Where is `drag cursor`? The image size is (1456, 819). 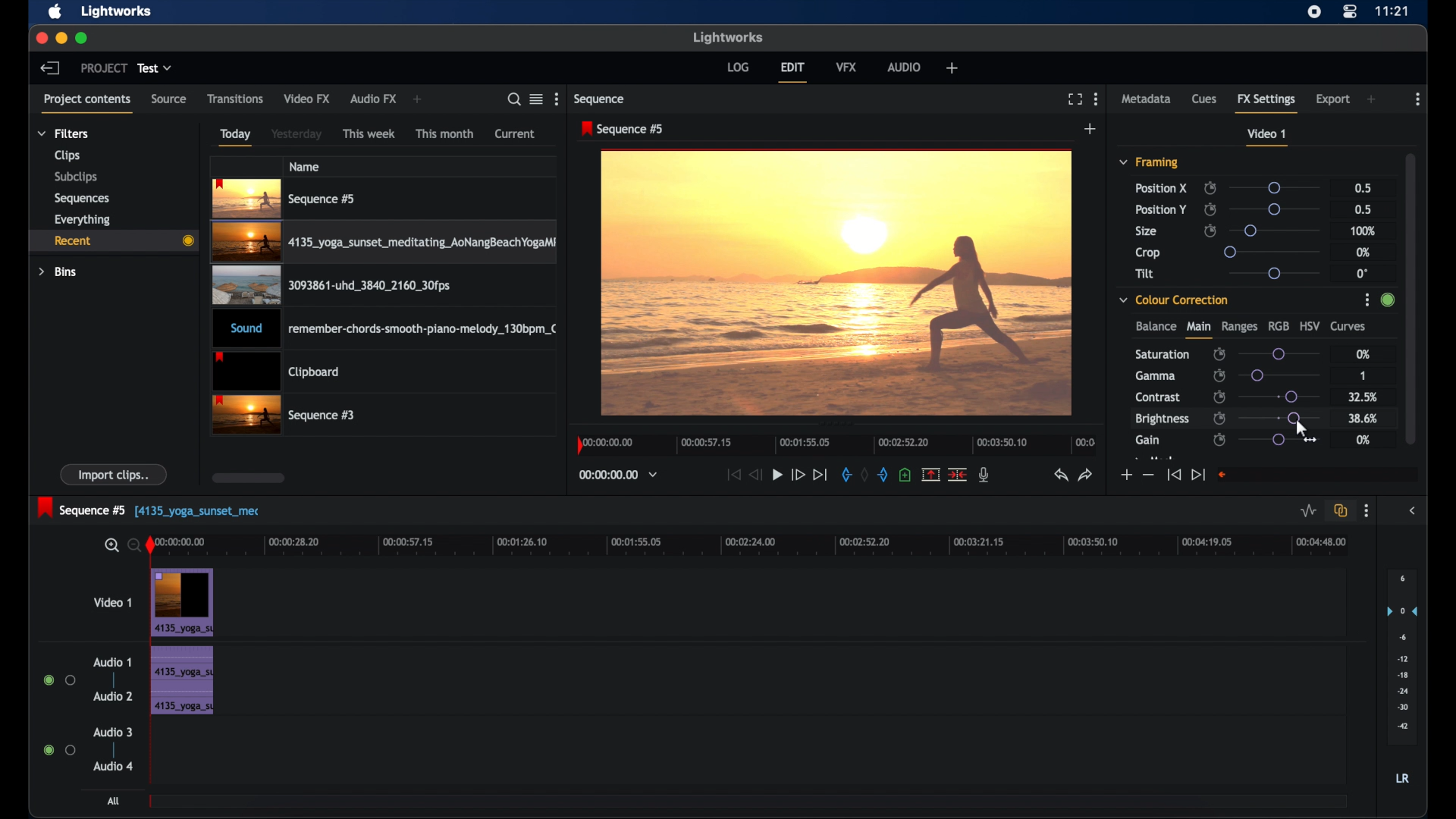
drag cursor is located at coordinates (1306, 432).